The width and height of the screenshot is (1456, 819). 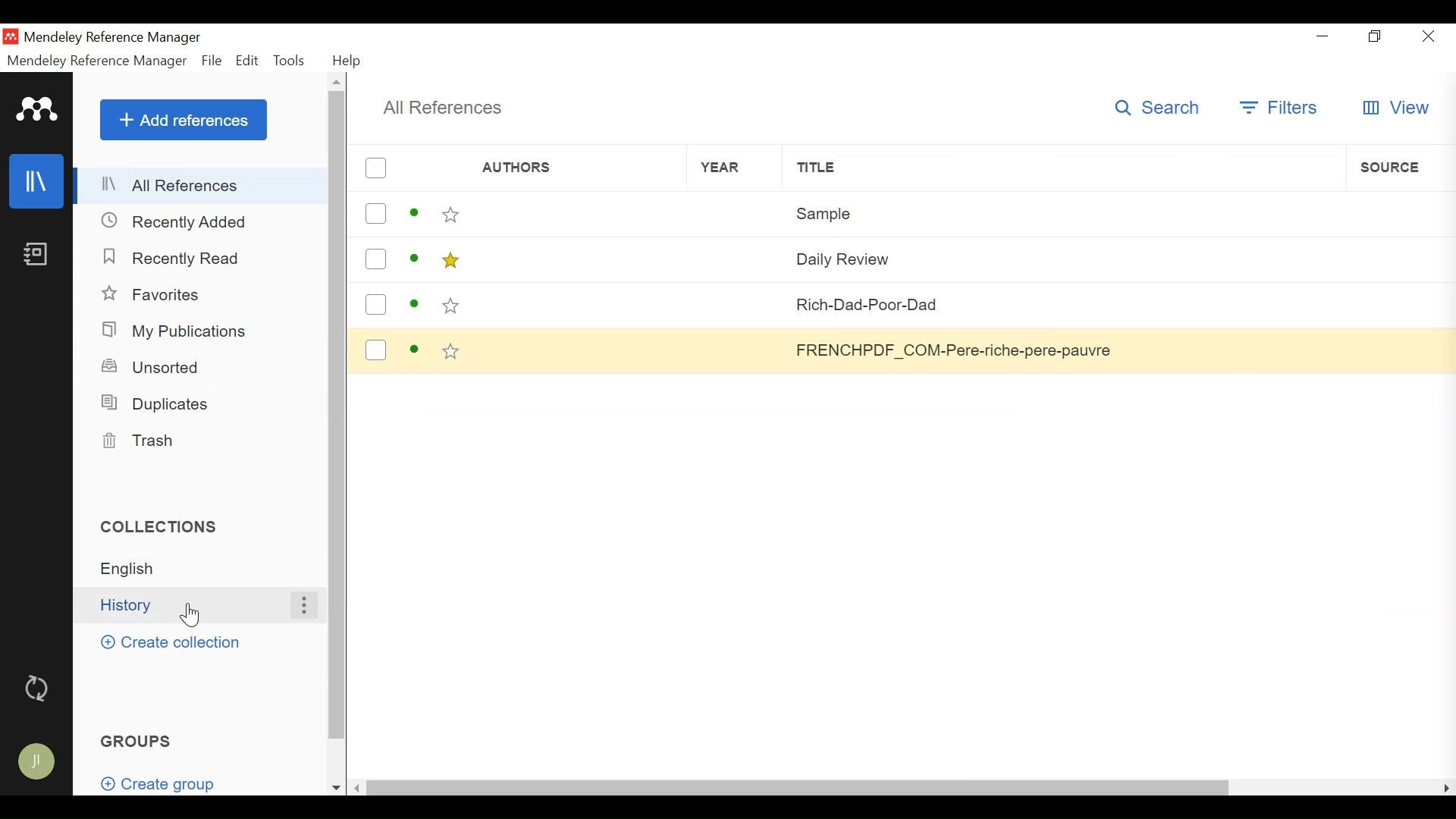 What do you see at coordinates (347, 61) in the screenshot?
I see `Help` at bounding box center [347, 61].